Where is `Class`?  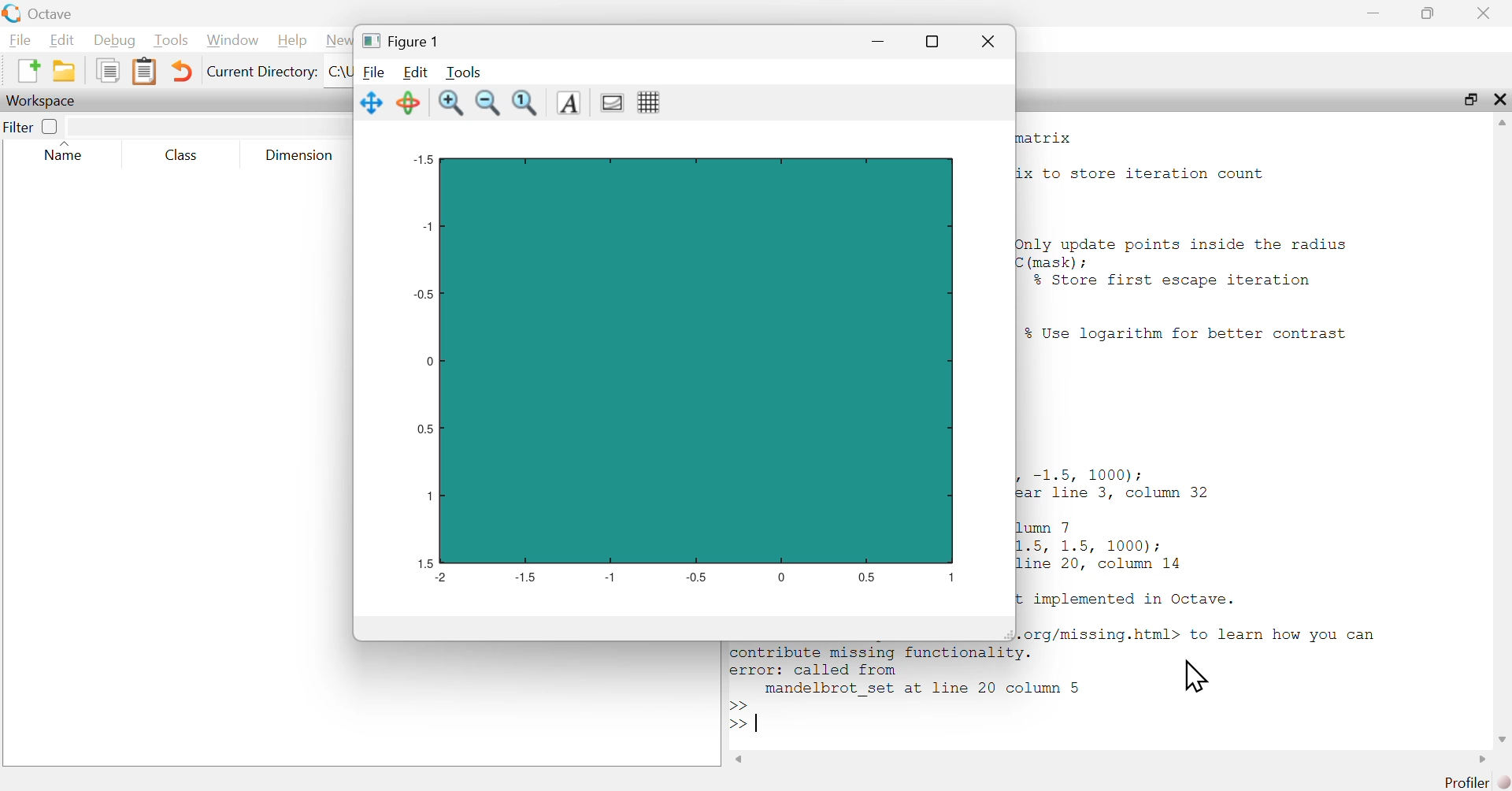 Class is located at coordinates (182, 154).